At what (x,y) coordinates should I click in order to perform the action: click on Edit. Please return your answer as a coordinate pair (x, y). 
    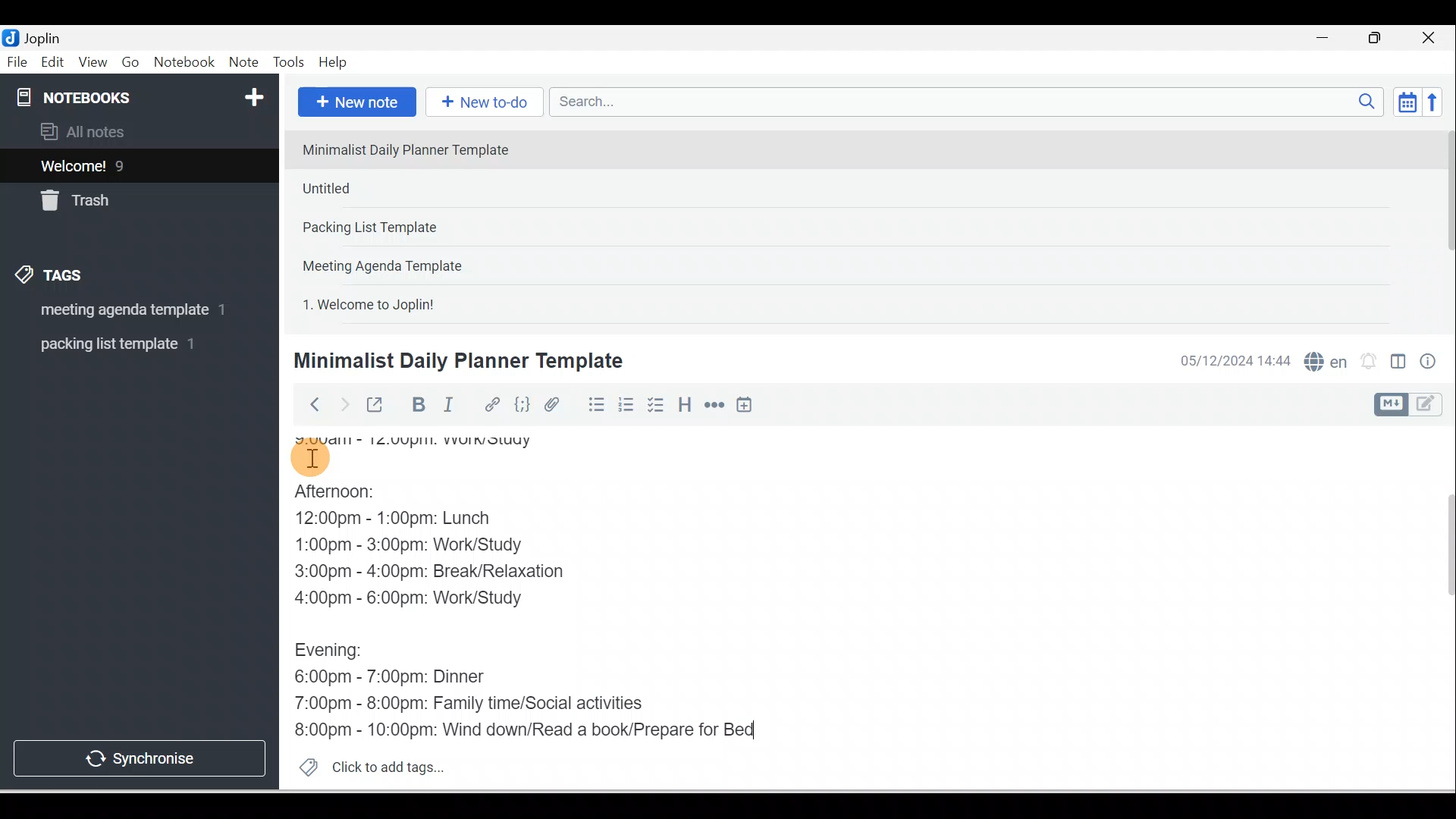
    Looking at the image, I should click on (54, 63).